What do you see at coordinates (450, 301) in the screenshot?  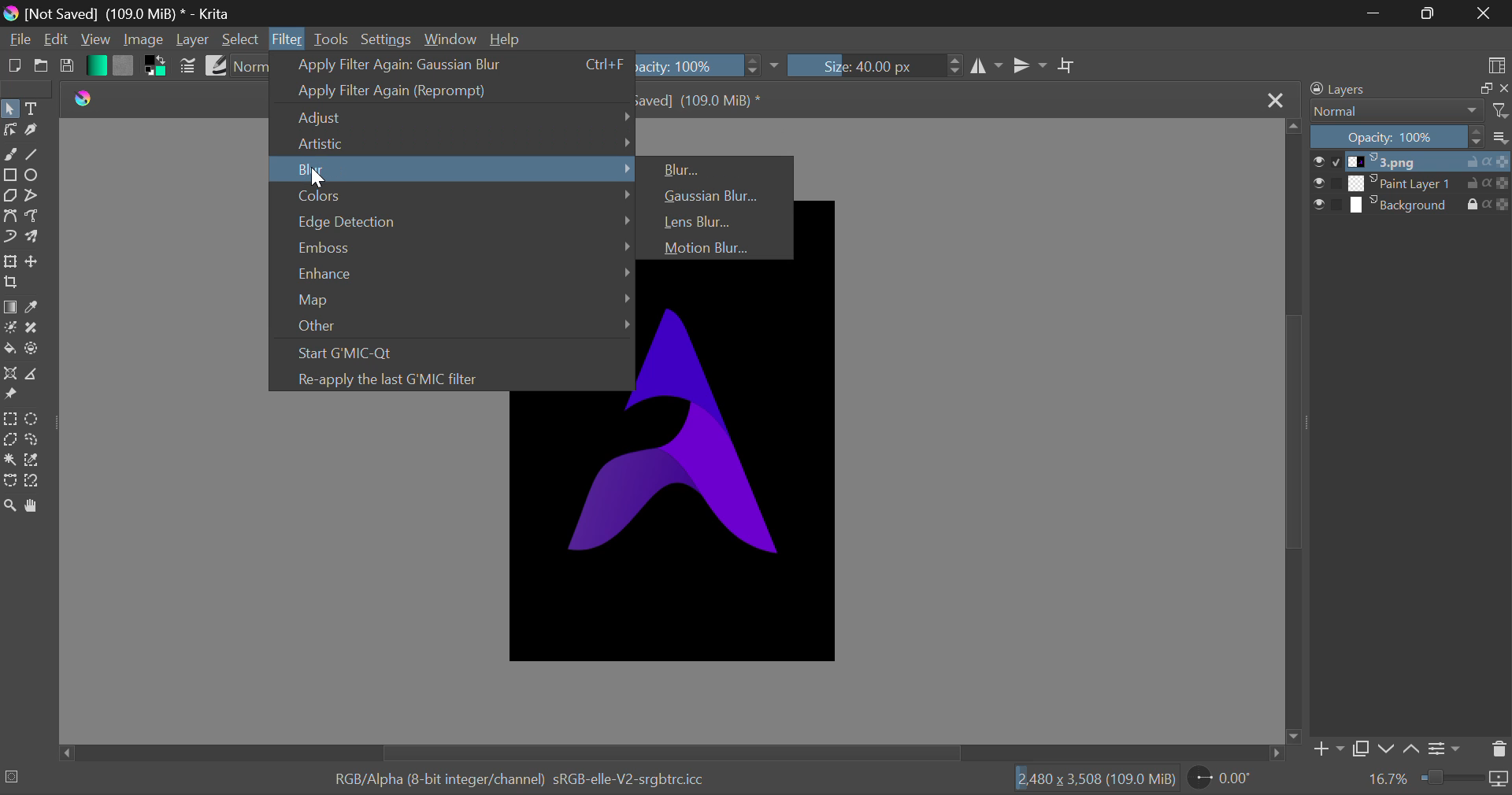 I see `Map` at bounding box center [450, 301].